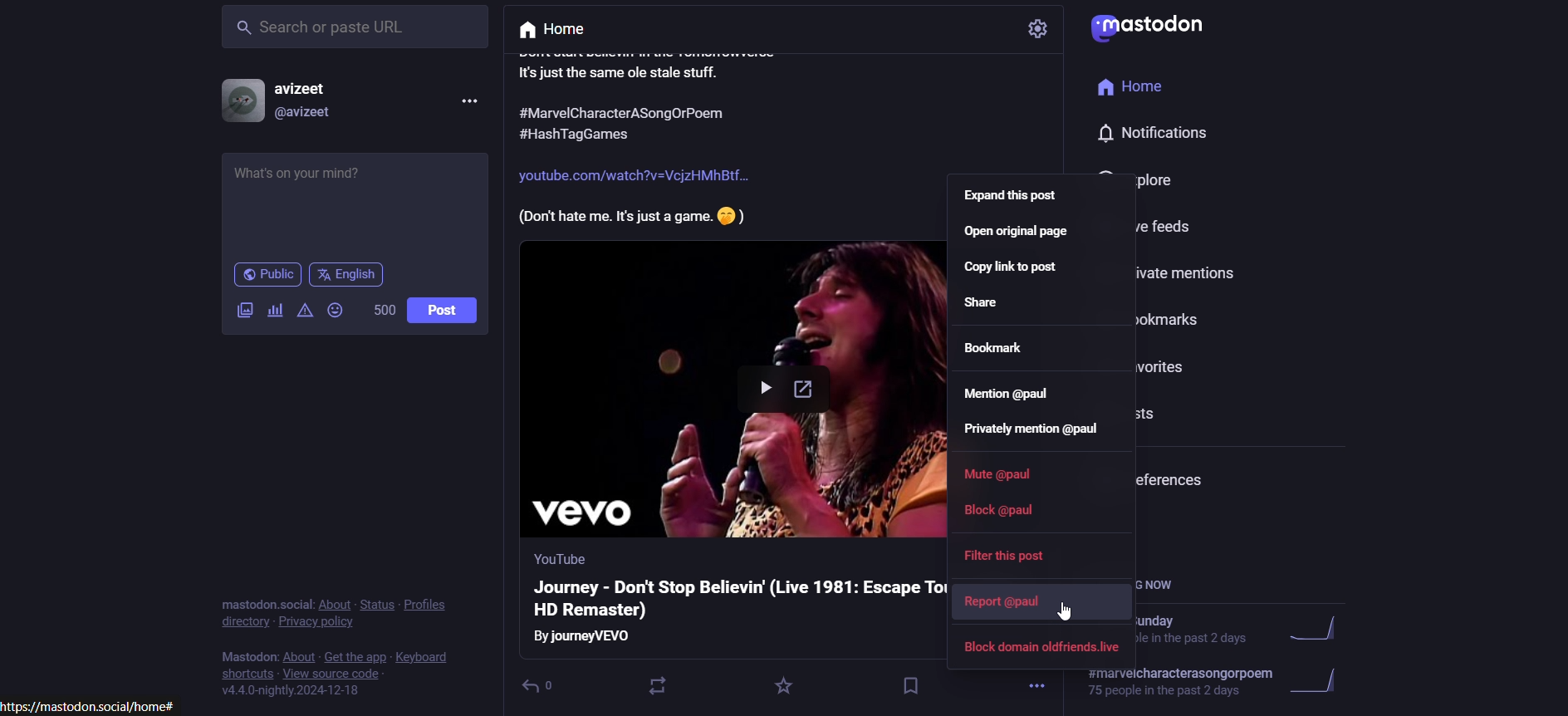 Image resolution: width=1568 pixels, height=716 pixels. Describe the element at coordinates (631, 216) in the screenshot. I see `` at that location.